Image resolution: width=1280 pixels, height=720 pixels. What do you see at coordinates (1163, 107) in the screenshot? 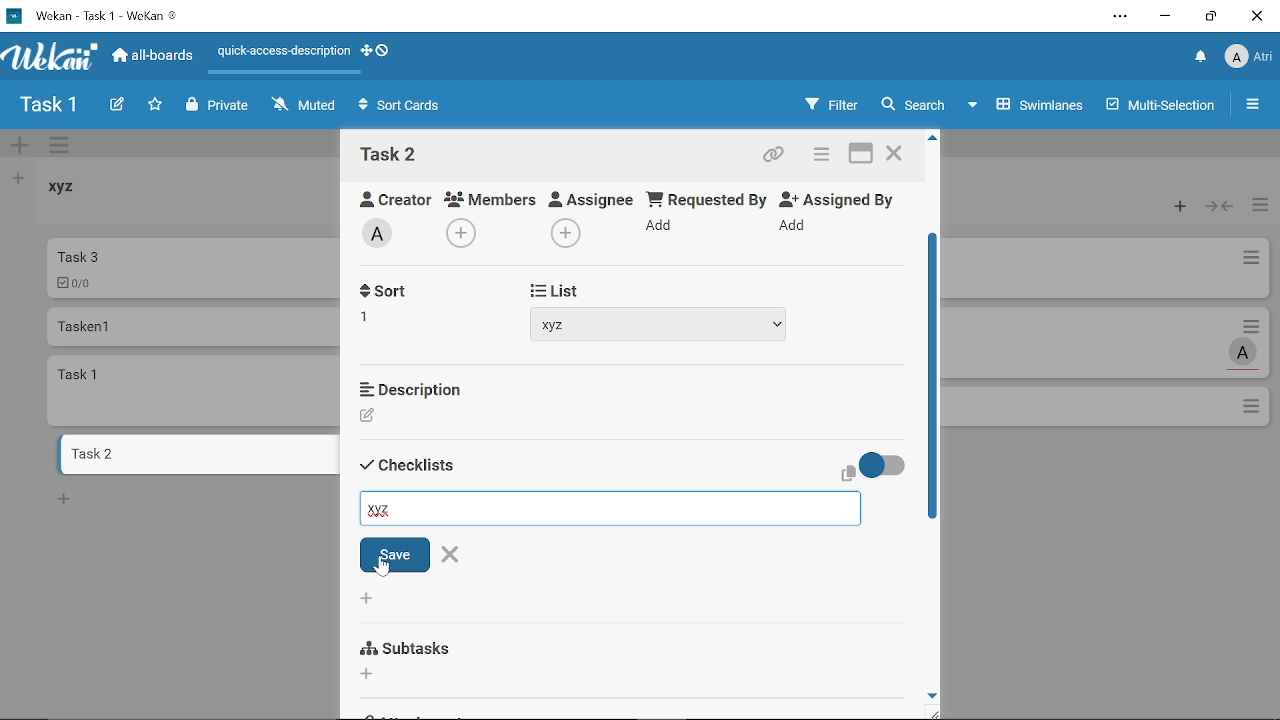
I see `Multilanes` at bounding box center [1163, 107].